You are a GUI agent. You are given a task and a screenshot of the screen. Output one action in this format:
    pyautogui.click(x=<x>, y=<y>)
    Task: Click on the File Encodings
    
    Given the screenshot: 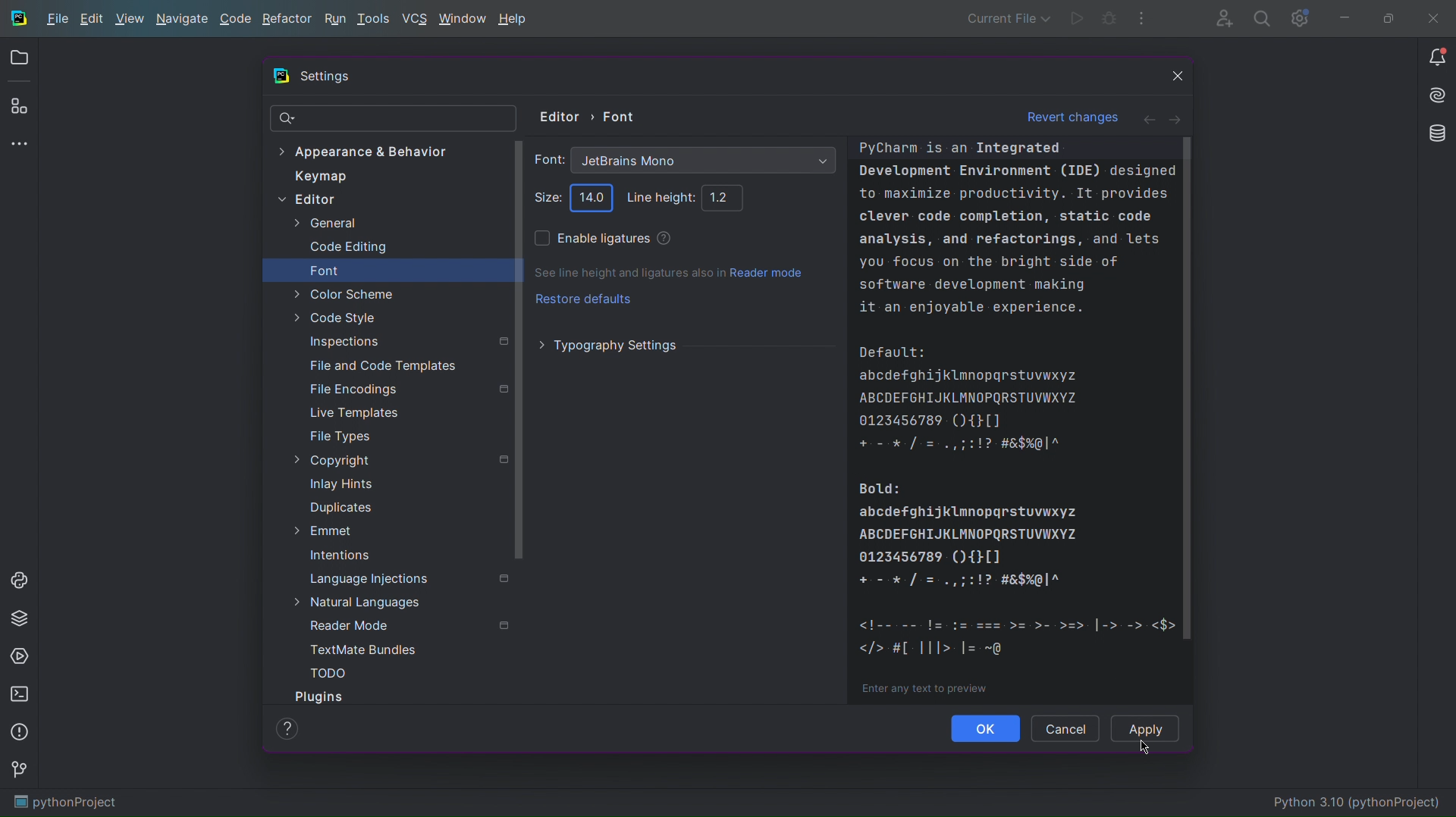 What is the action you would take?
    pyautogui.click(x=409, y=387)
    